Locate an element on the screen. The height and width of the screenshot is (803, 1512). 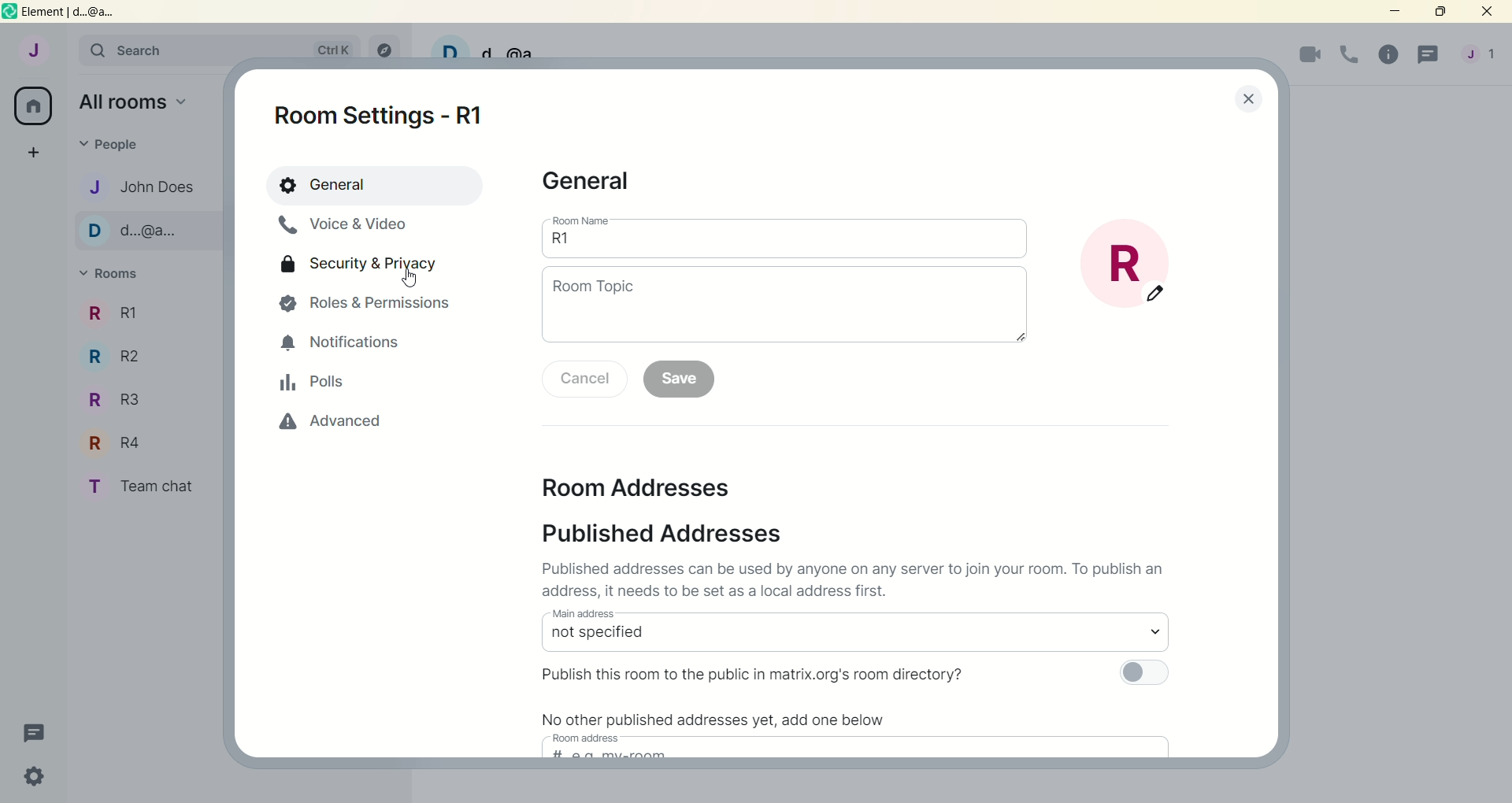
people is located at coordinates (111, 142).